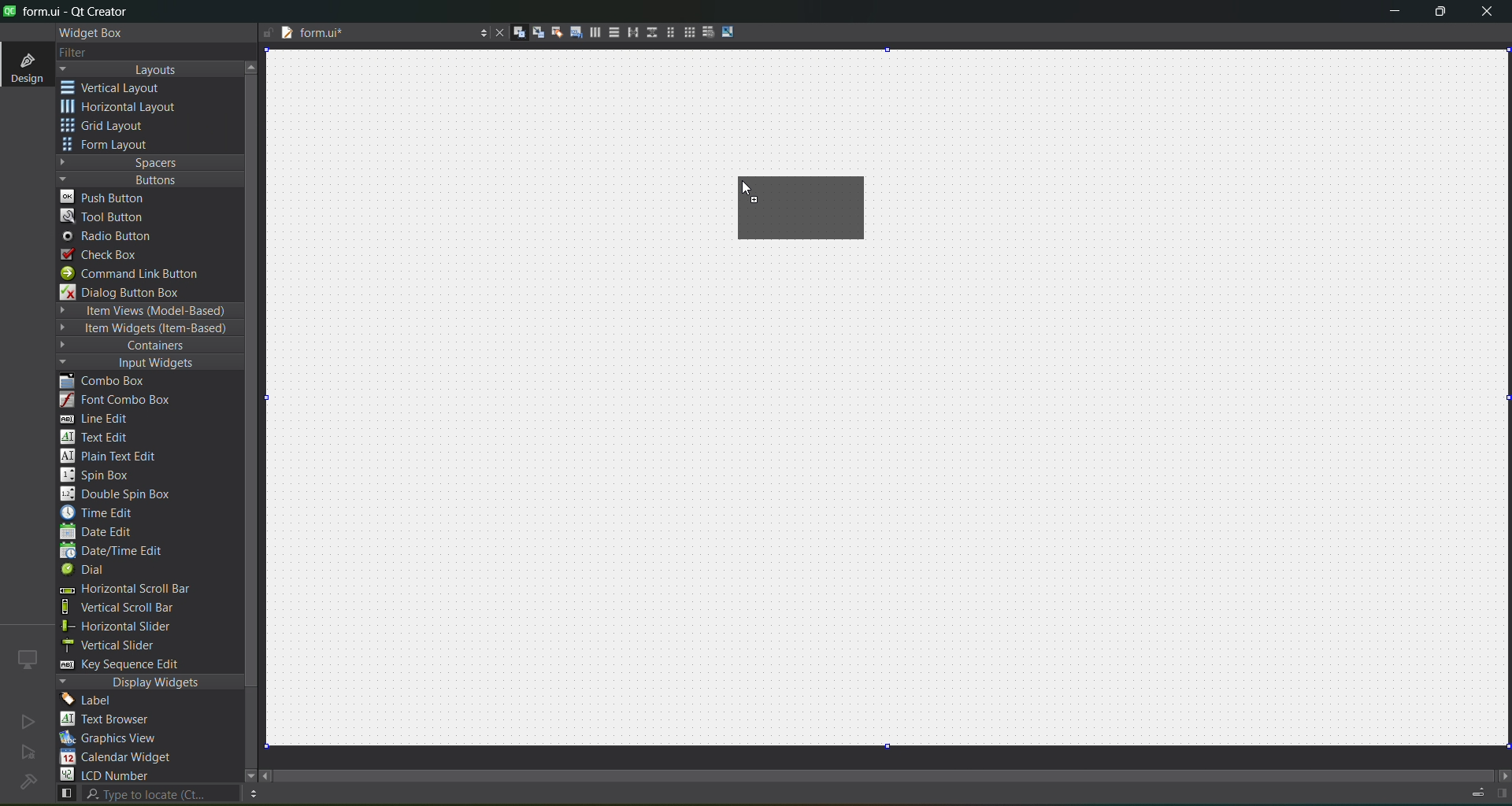 Image resolution: width=1512 pixels, height=806 pixels. I want to click on item widgets, so click(146, 329).